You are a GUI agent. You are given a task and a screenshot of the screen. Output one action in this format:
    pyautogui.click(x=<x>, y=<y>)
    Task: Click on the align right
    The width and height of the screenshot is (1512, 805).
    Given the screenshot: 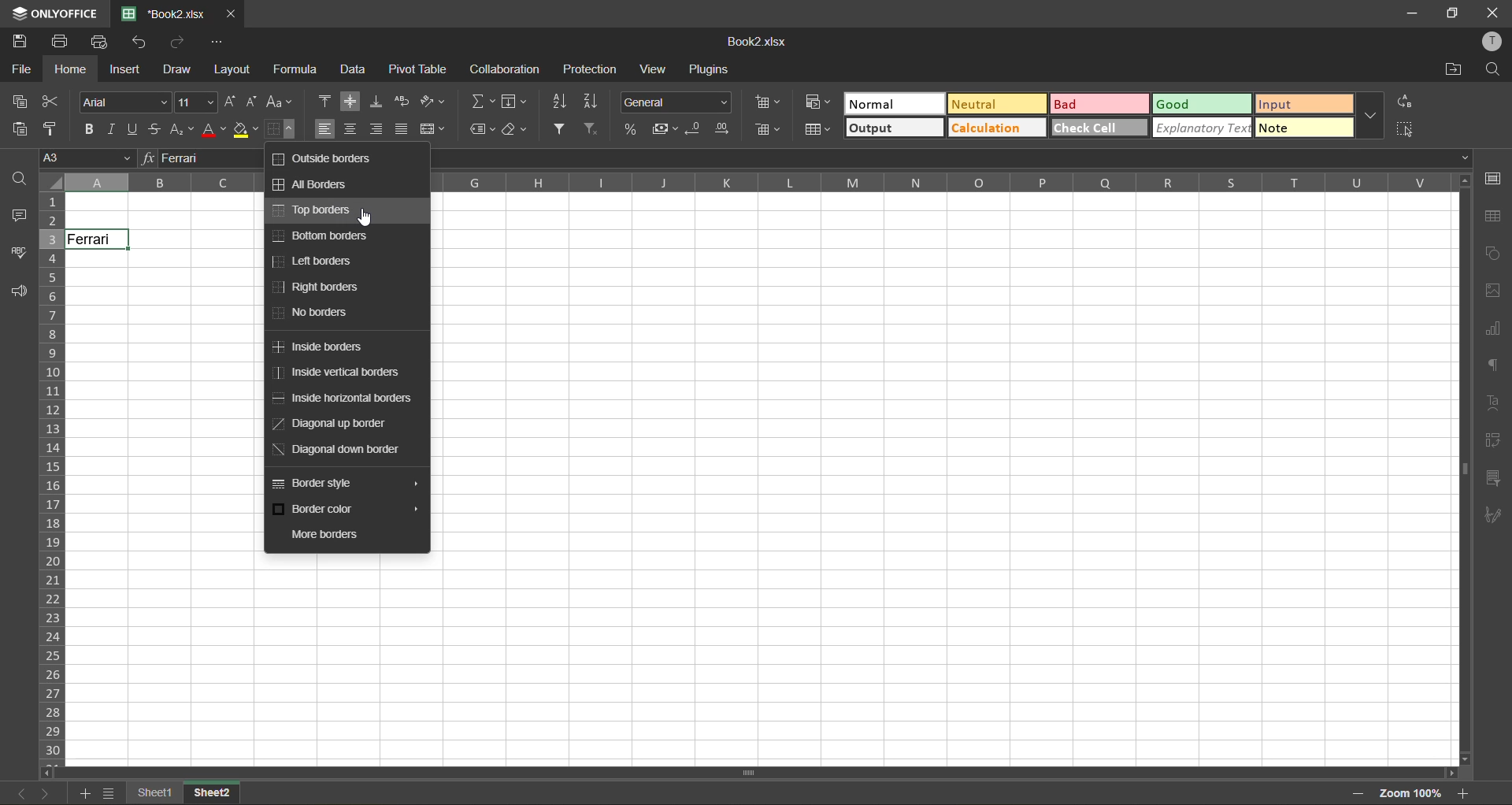 What is the action you would take?
    pyautogui.click(x=377, y=131)
    